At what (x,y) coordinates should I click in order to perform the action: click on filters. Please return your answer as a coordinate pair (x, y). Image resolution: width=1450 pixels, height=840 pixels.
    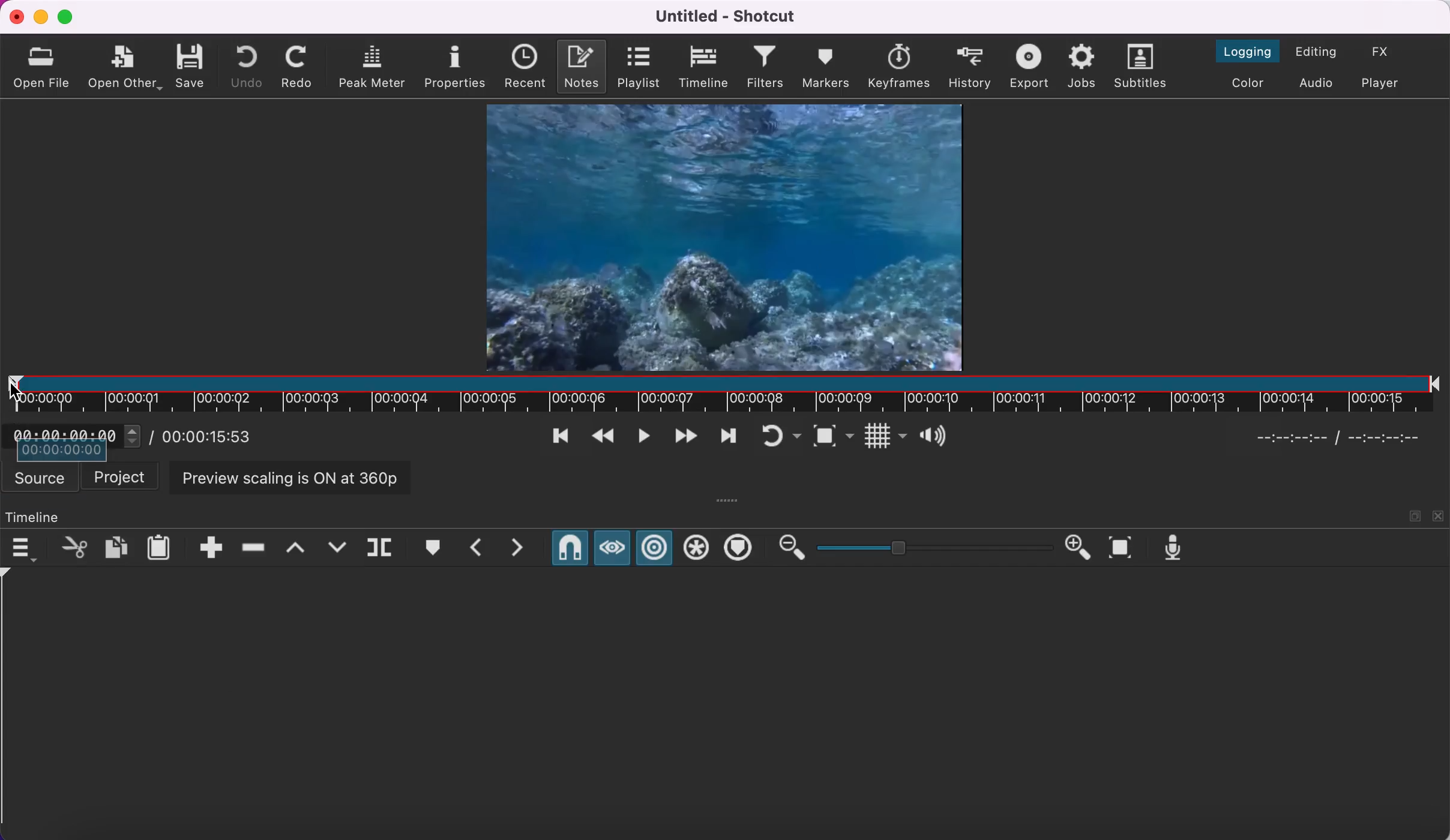
    Looking at the image, I should click on (766, 67).